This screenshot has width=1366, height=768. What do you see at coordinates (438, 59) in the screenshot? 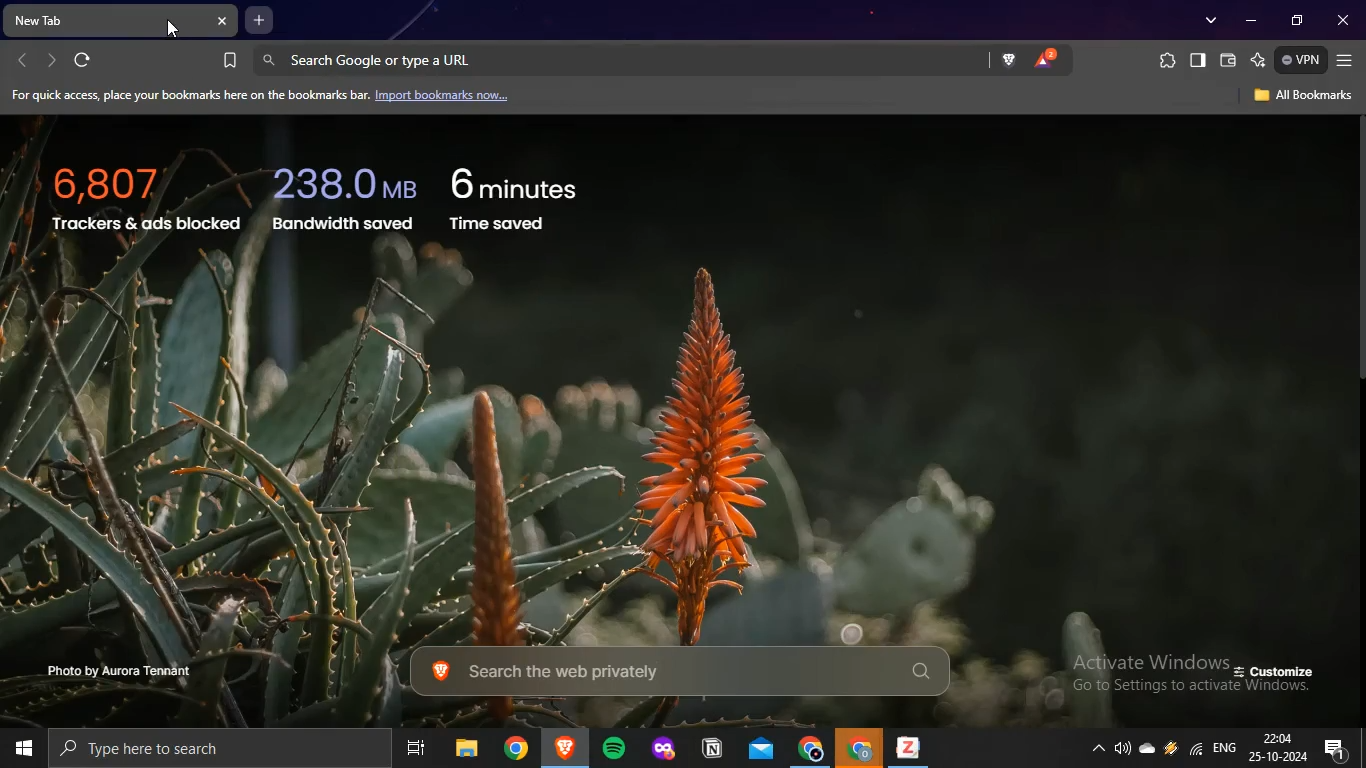
I see `search google or type a Url` at bounding box center [438, 59].